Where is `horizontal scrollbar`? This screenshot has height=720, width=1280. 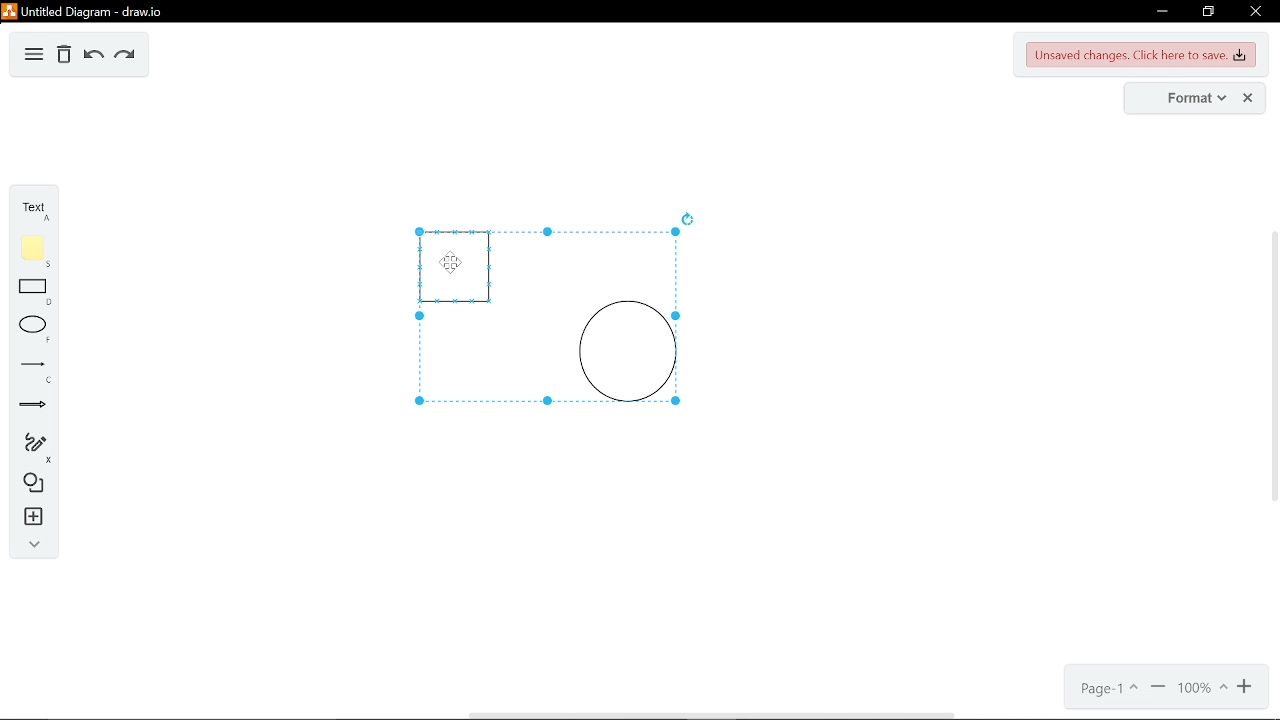 horizontal scrollbar is located at coordinates (710, 715).